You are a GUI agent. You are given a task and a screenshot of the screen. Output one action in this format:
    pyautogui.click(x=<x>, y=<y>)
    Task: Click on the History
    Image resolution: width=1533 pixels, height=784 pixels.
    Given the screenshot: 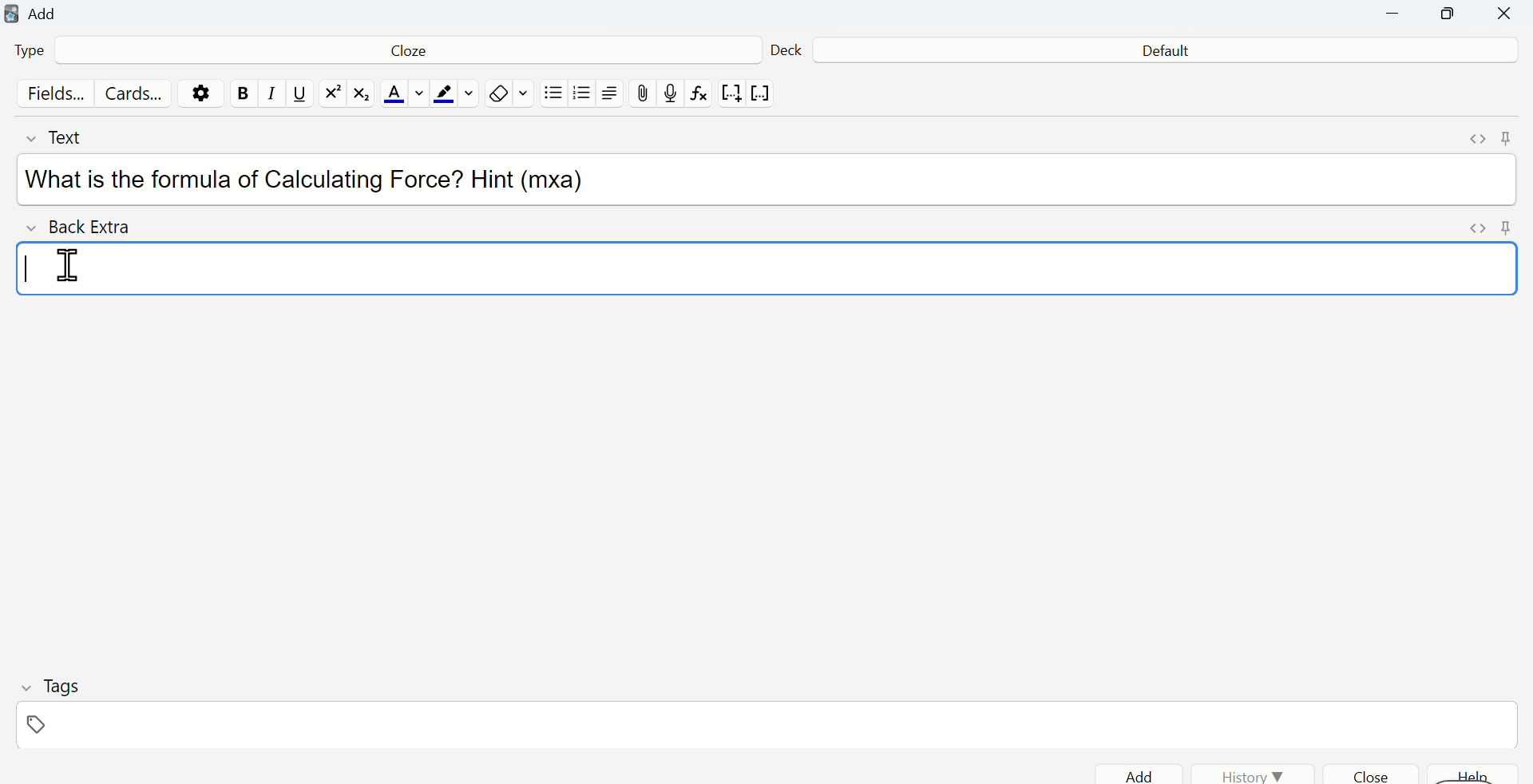 What is the action you would take?
    pyautogui.click(x=1254, y=774)
    